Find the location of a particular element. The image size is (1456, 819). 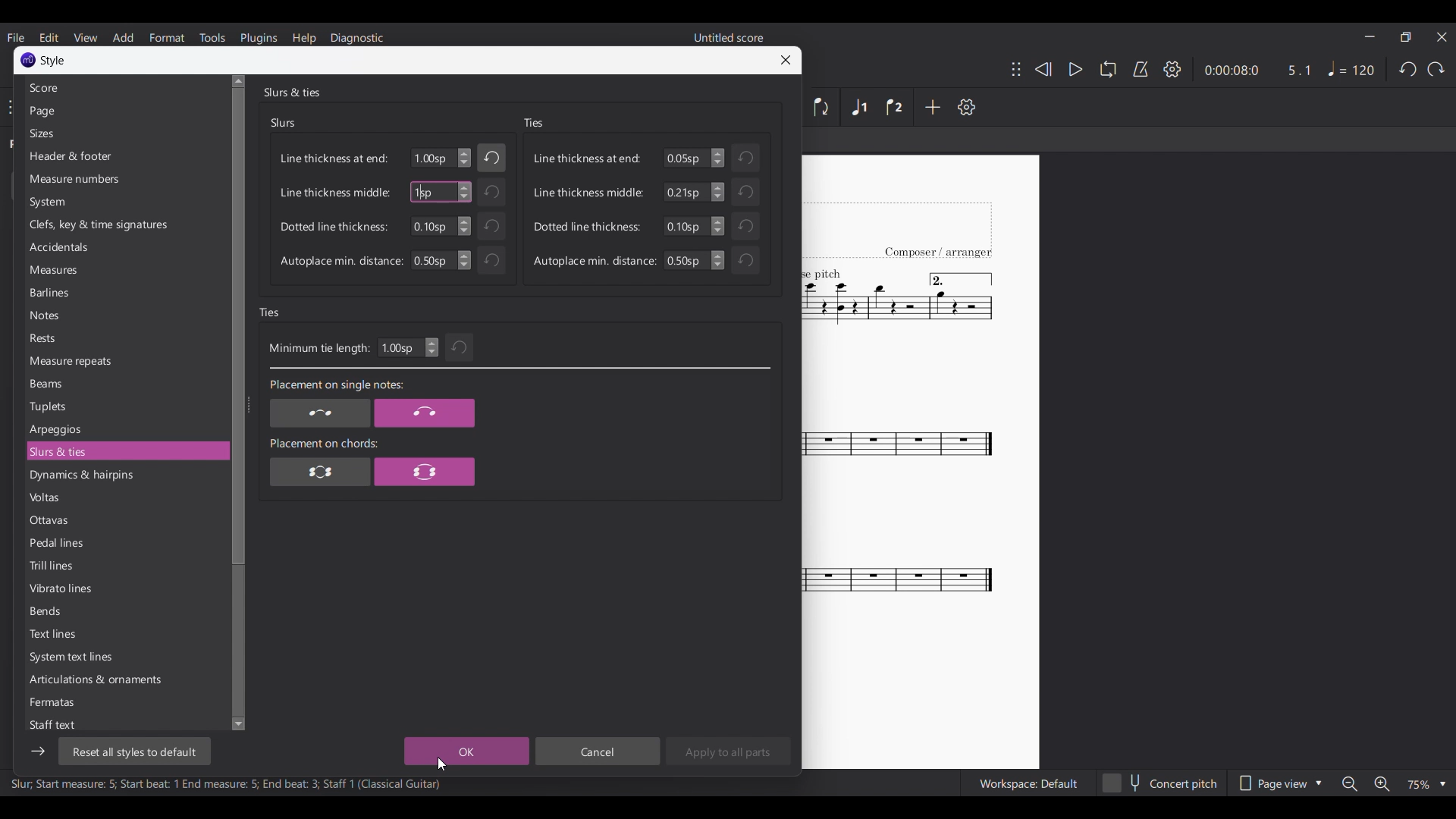

Measure numbers is located at coordinates (125, 179).